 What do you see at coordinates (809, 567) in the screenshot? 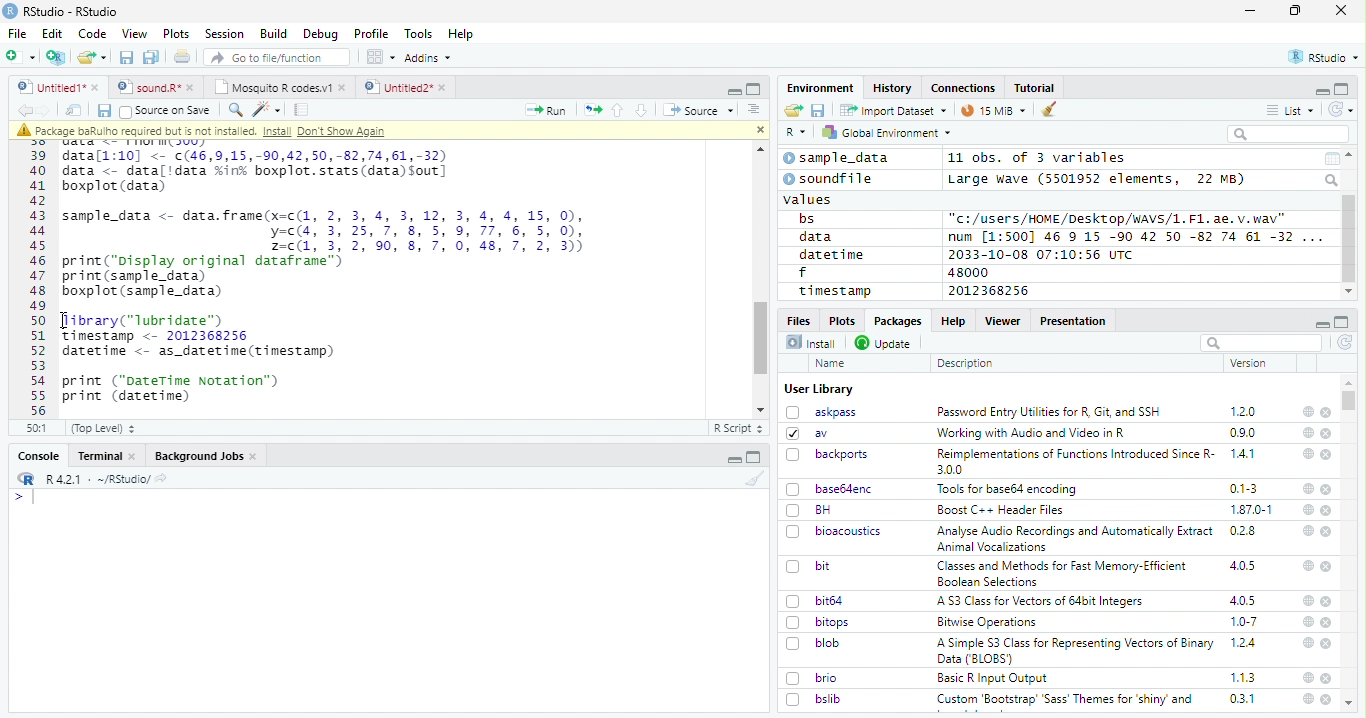
I see `bit` at bounding box center [809, 567].